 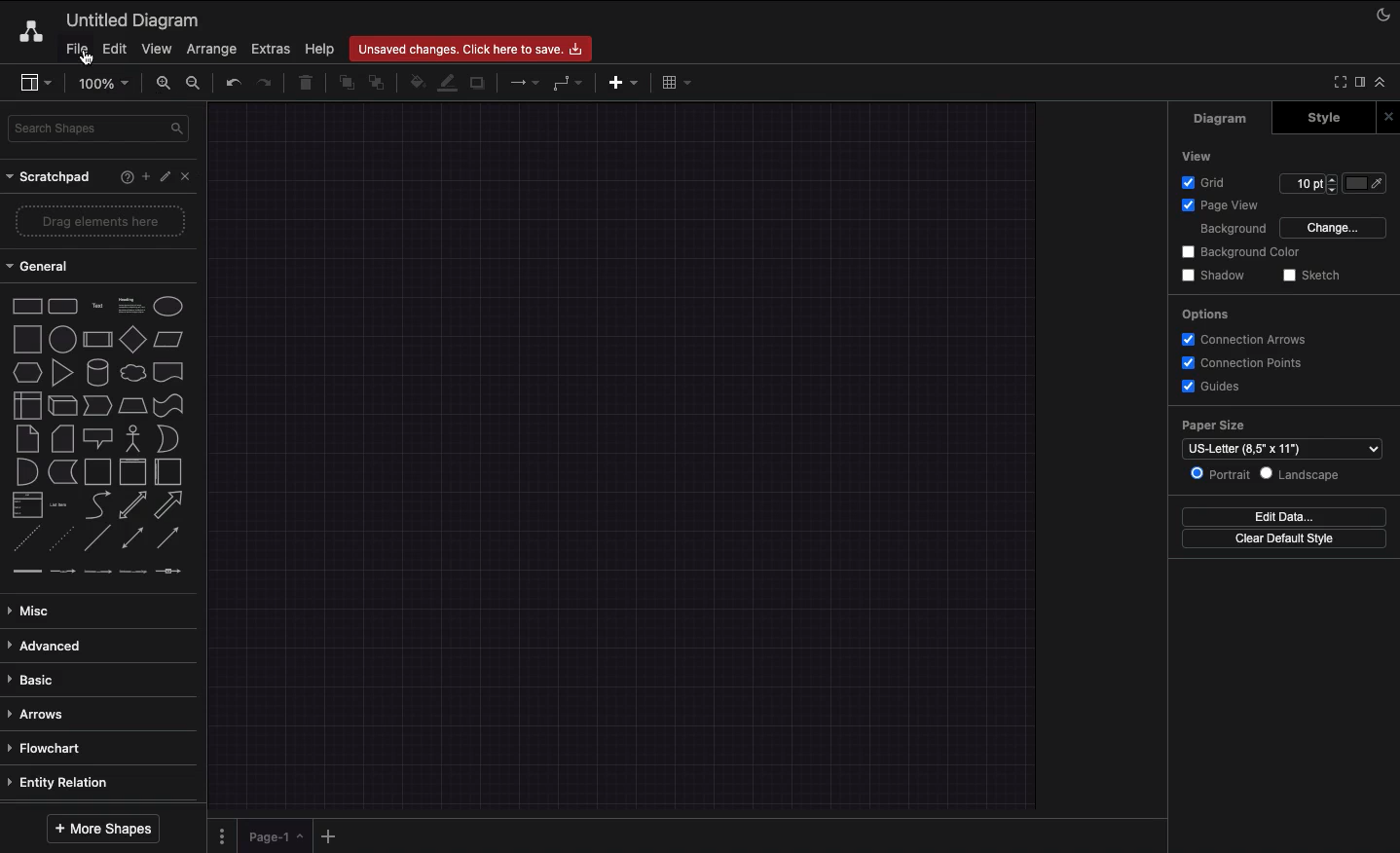 What do you see at coordinates (100, 131) in the screenshot?
I see `Search shapes` at bounding box center [100, 131].